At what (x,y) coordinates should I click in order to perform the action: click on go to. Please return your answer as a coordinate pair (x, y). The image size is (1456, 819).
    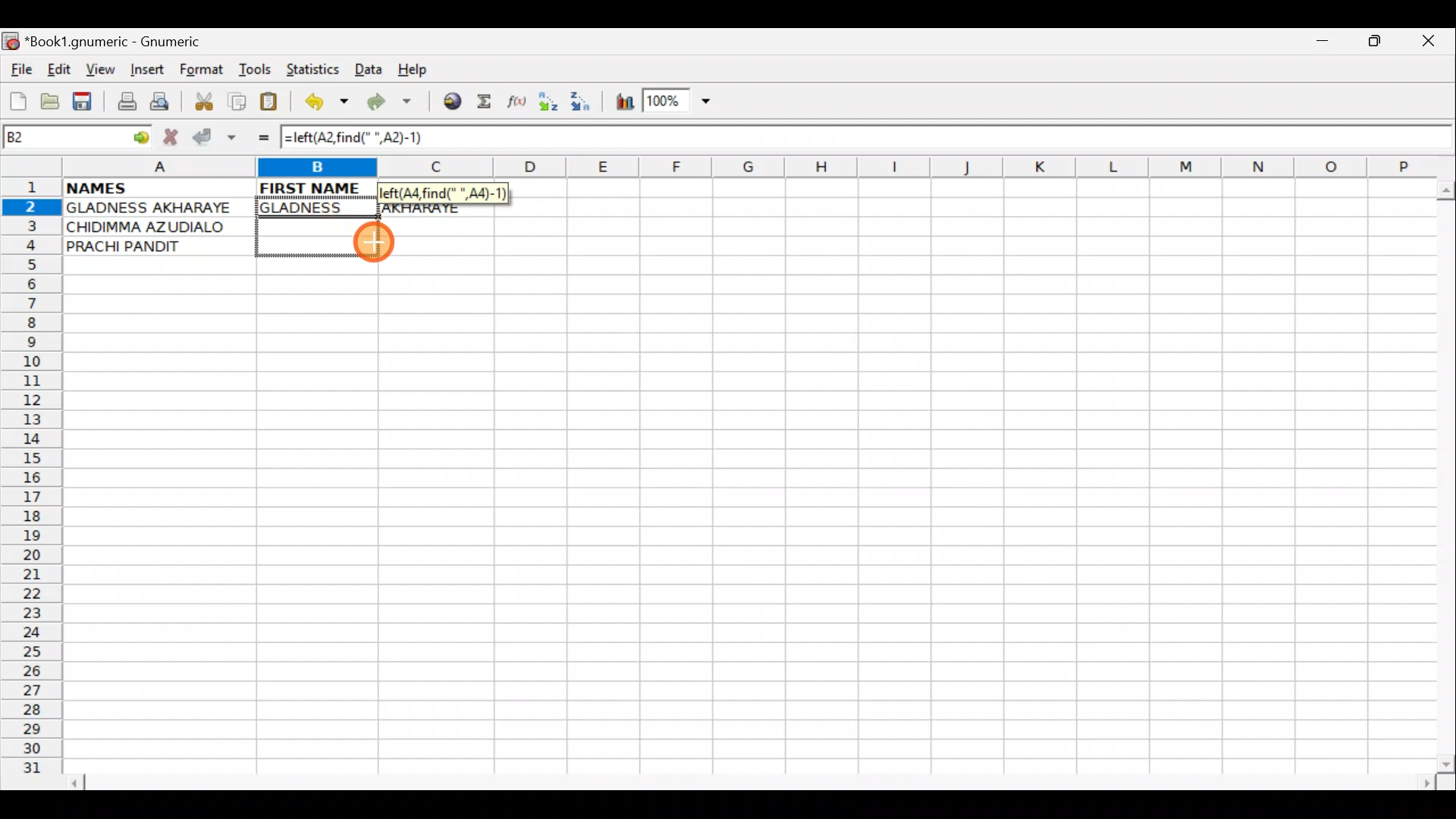
    Looking at the image, I should click on (140, 135).